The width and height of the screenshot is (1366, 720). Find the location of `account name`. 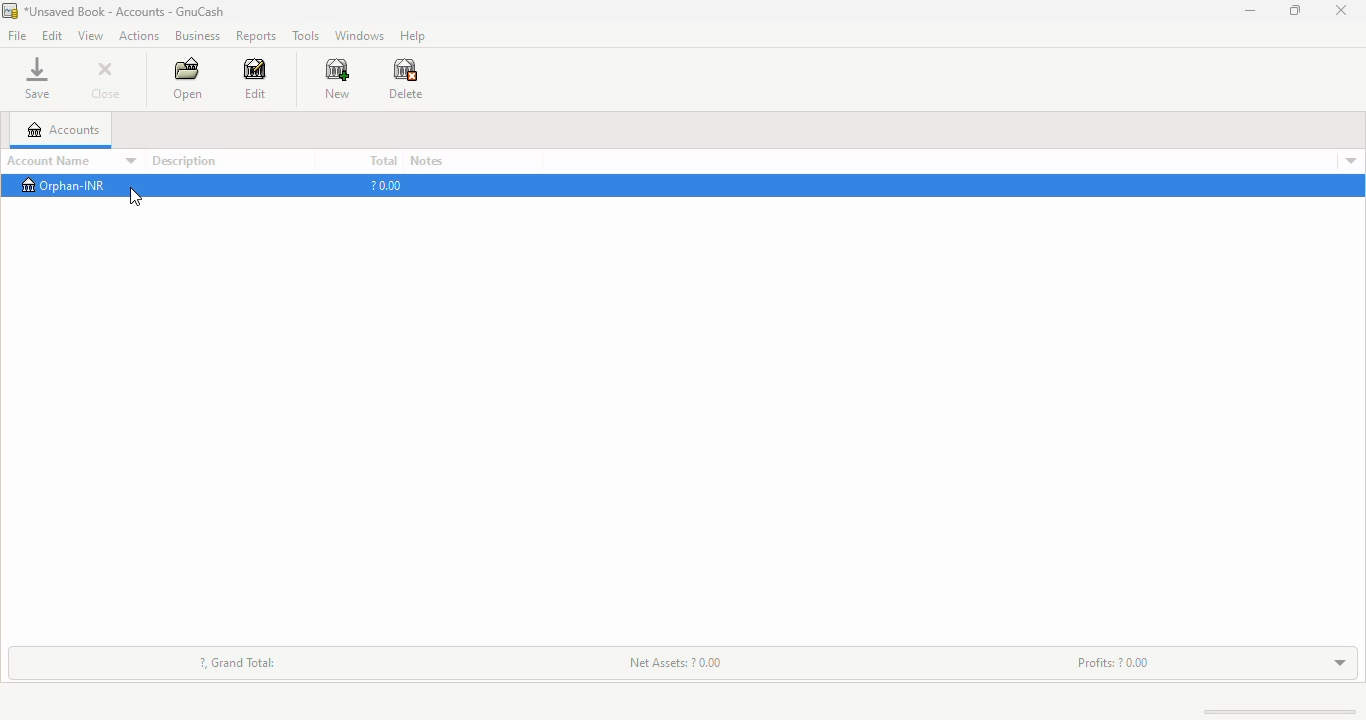

account name is located at coordinates (73, 161).